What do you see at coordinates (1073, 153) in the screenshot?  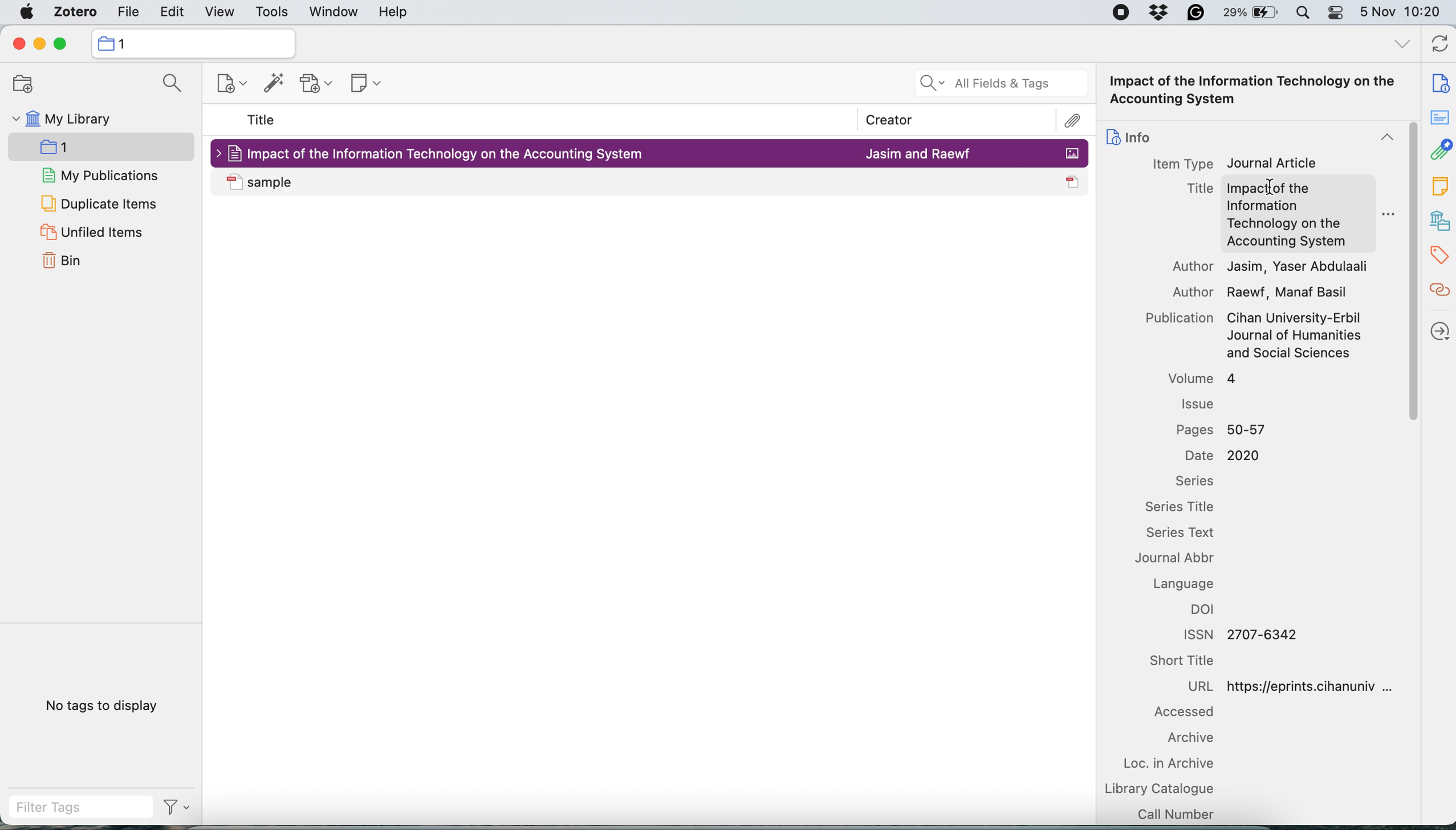 I see `icon` at bounding box center [1073, 153].